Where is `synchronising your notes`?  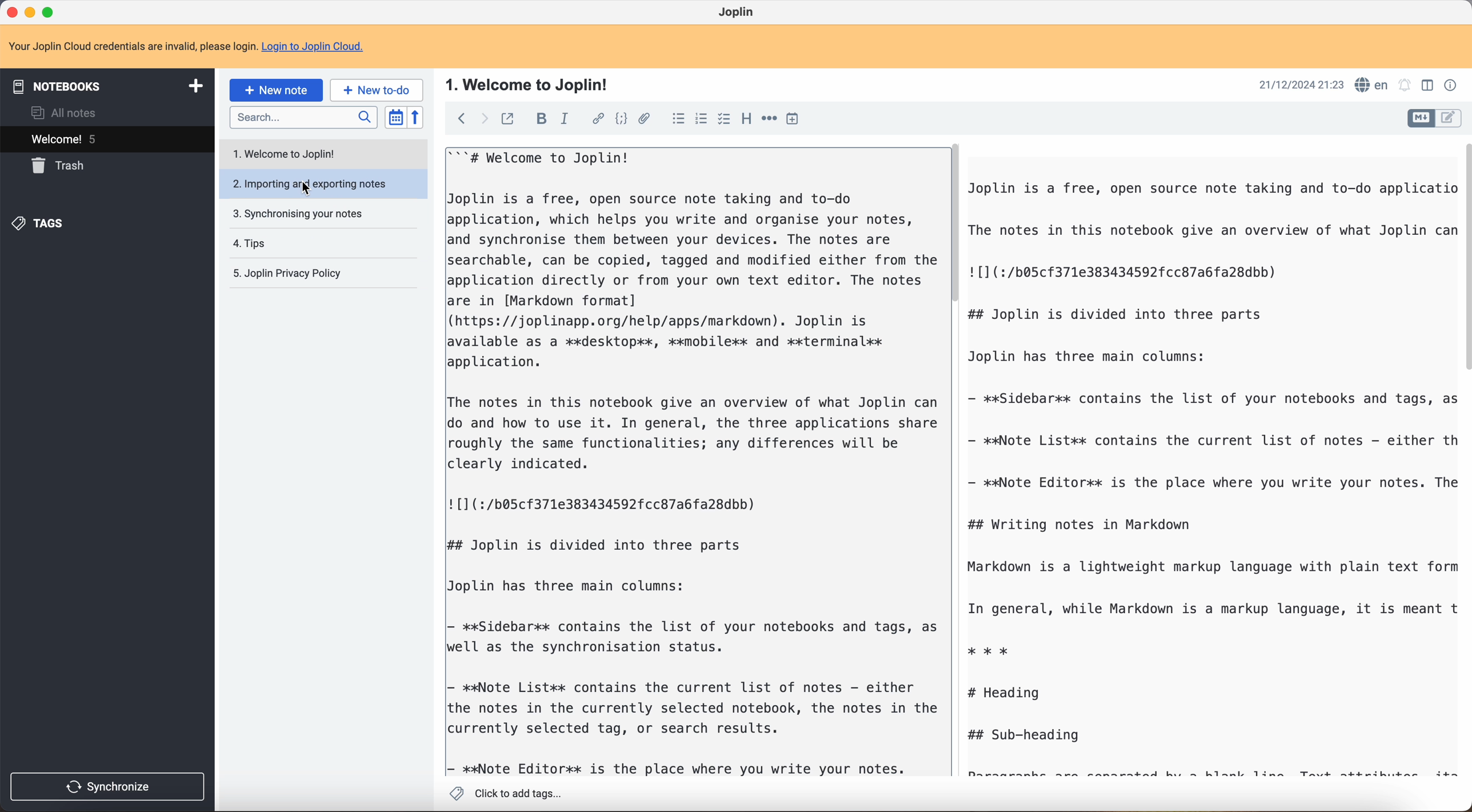
synchronising your notes is located at coordinates (302, 214).